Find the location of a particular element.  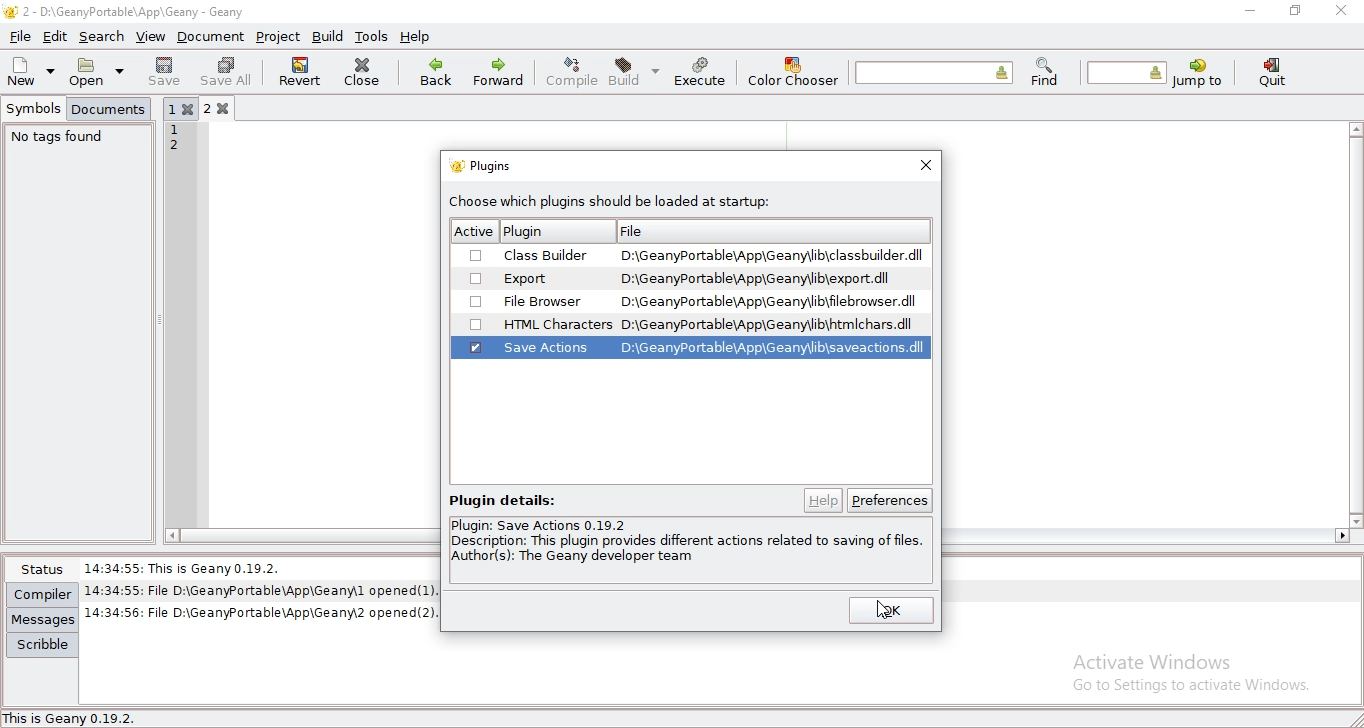

help is located at coordinates (824, 500).